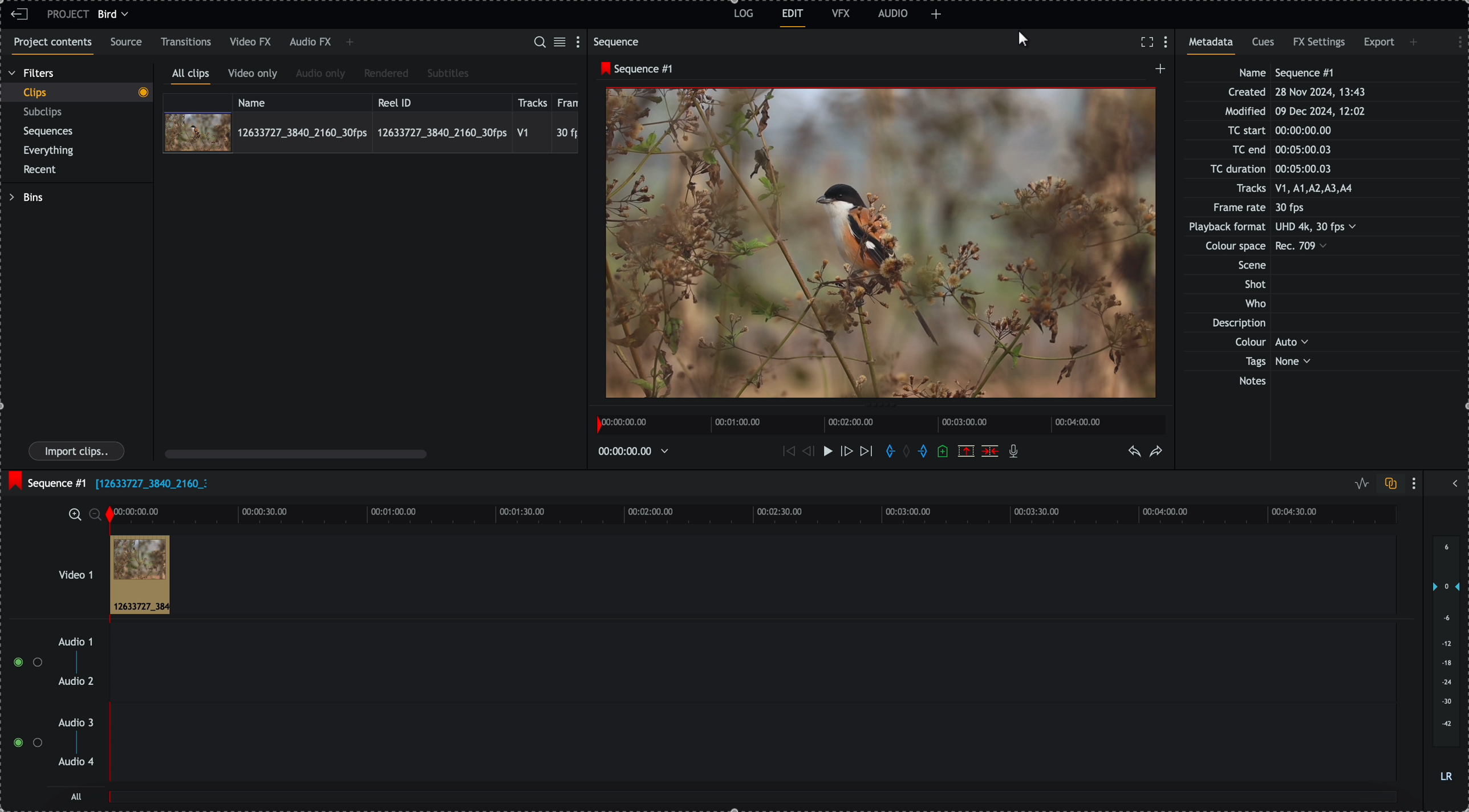 The height and width of the screenshot is (812, 1469). What do you see at coordinates (371, 132) in the screenshot?
I see `click on video` at bounding box center [371, 132].